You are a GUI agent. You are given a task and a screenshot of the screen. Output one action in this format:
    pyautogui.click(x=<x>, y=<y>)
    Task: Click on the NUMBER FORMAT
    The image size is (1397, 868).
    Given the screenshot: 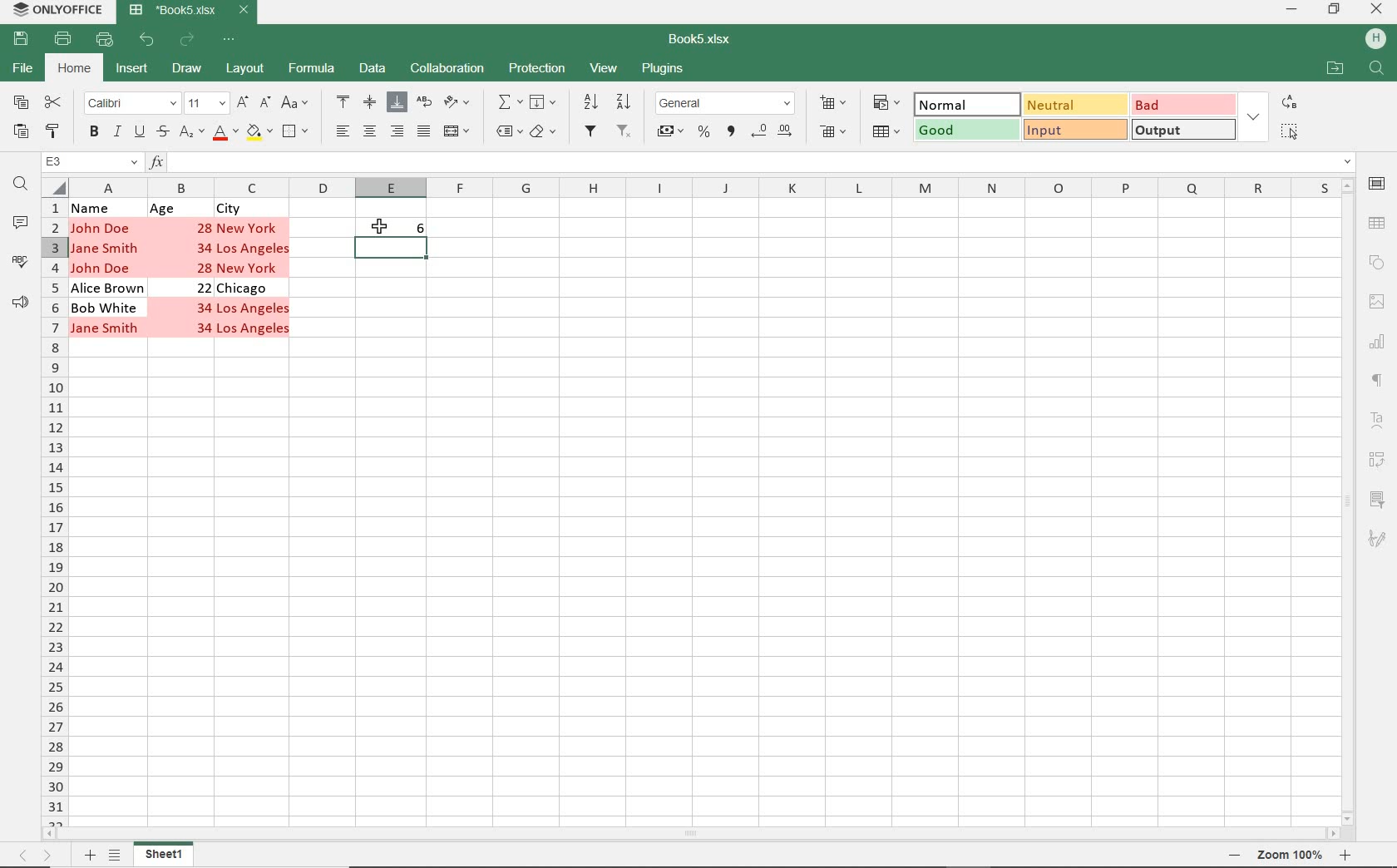 What is the action you would take?
    pyautogui.click(x=725, y=106)
    